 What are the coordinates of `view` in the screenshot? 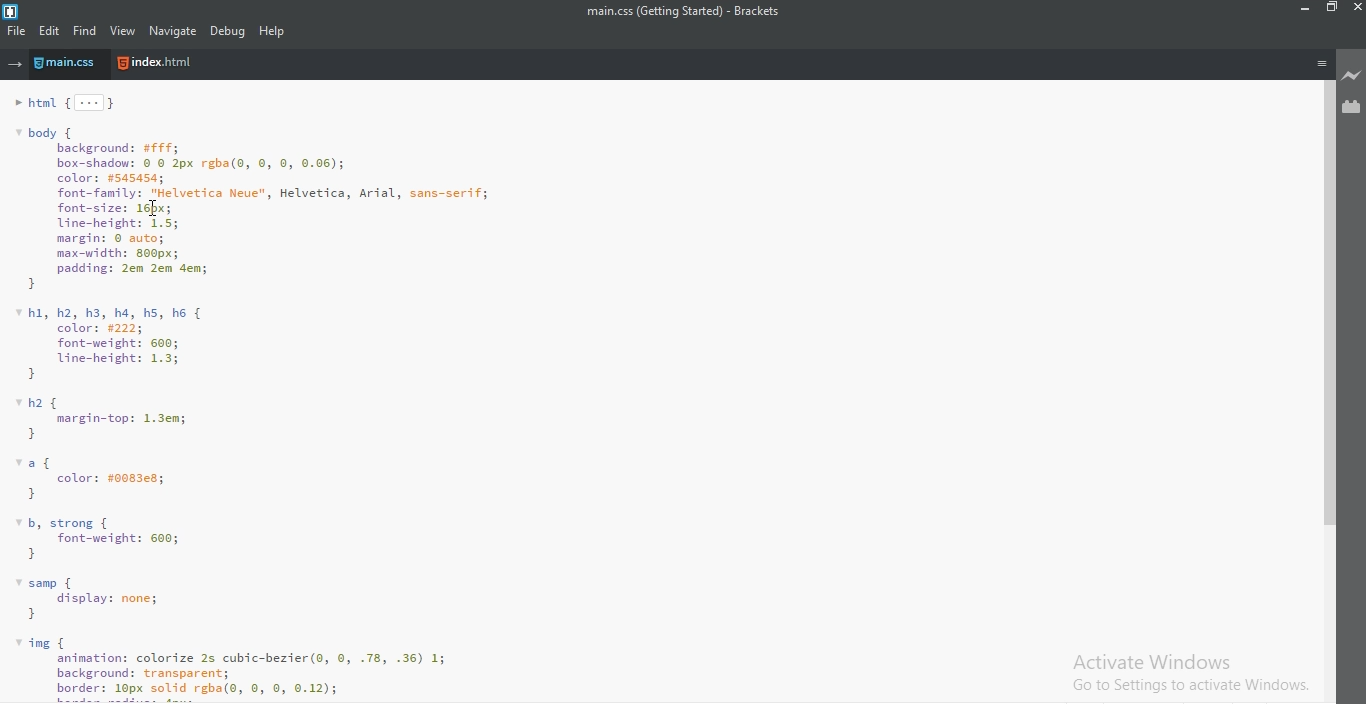 It's located at (124, 32).